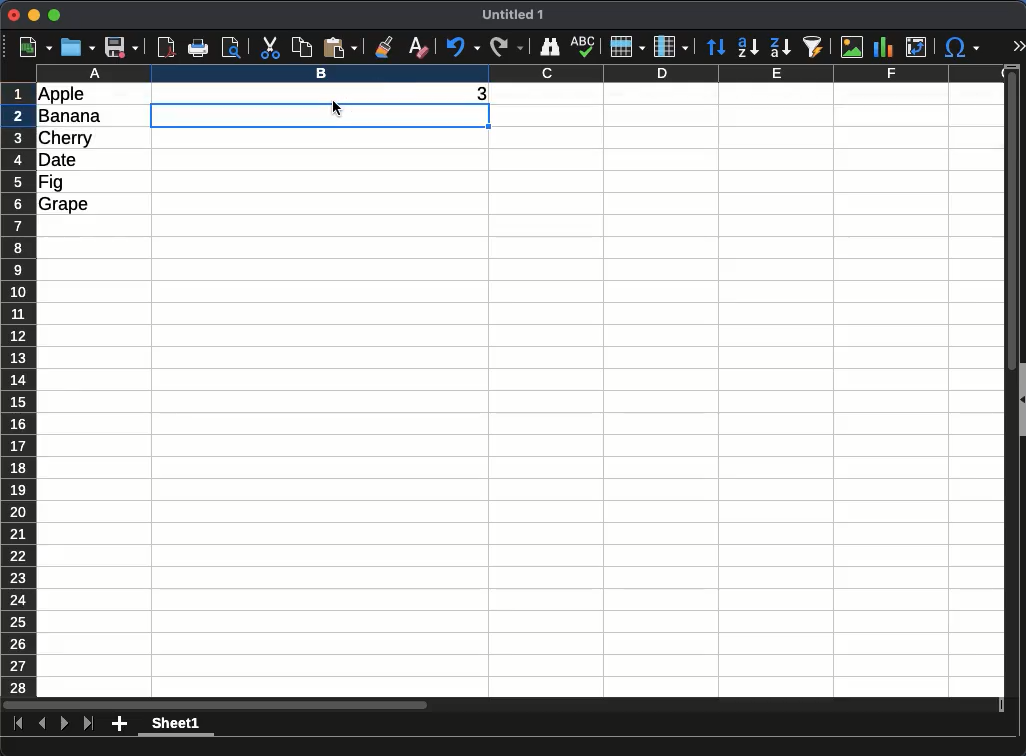  I want to click on minimize, so click(35, 14).